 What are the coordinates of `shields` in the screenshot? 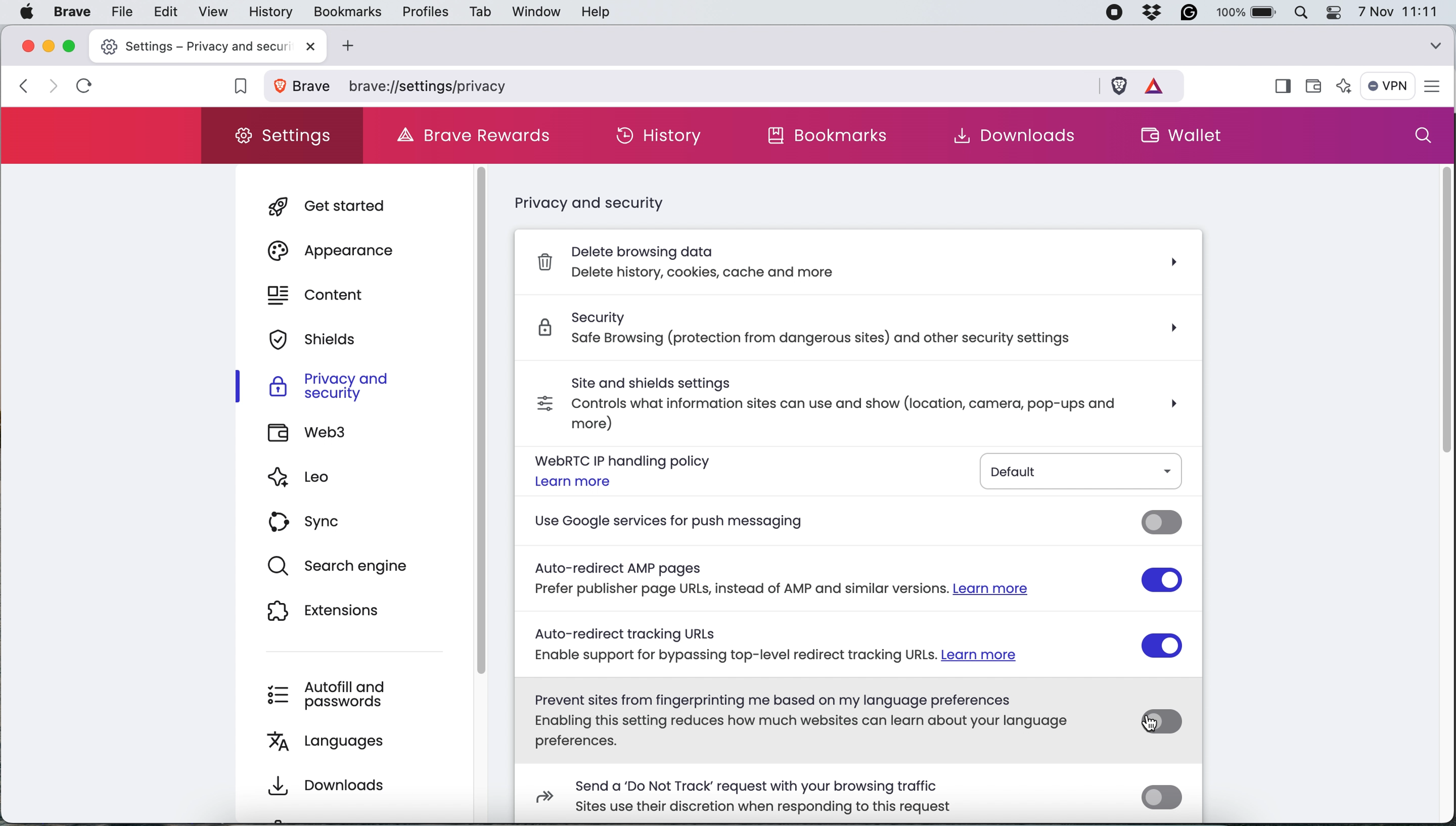 It's located at (323, 339).